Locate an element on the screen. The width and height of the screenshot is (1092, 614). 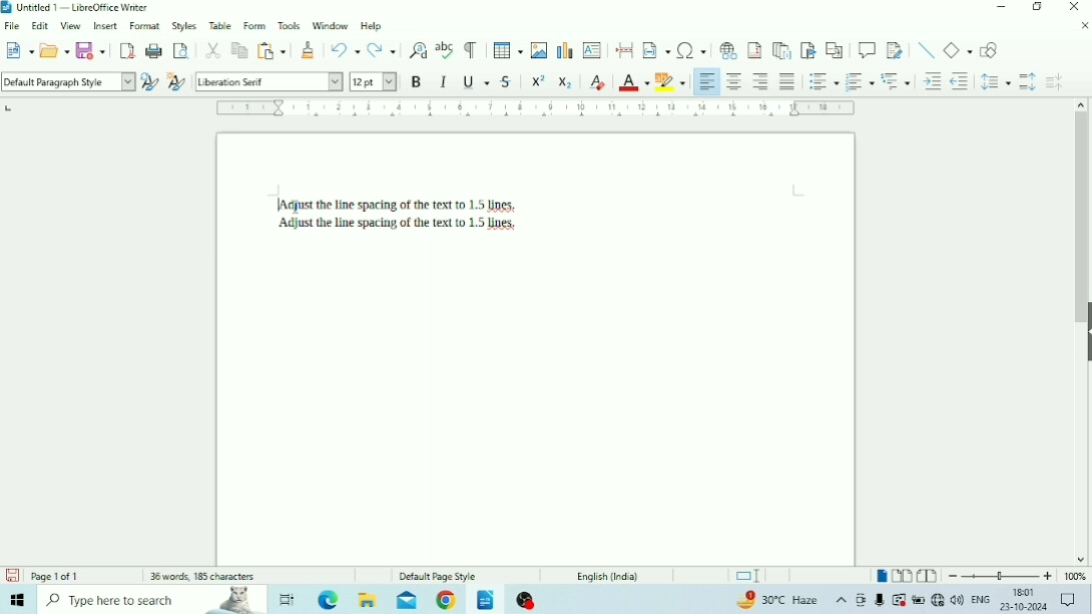
Increase Indent is located at coordinates (933, 82).